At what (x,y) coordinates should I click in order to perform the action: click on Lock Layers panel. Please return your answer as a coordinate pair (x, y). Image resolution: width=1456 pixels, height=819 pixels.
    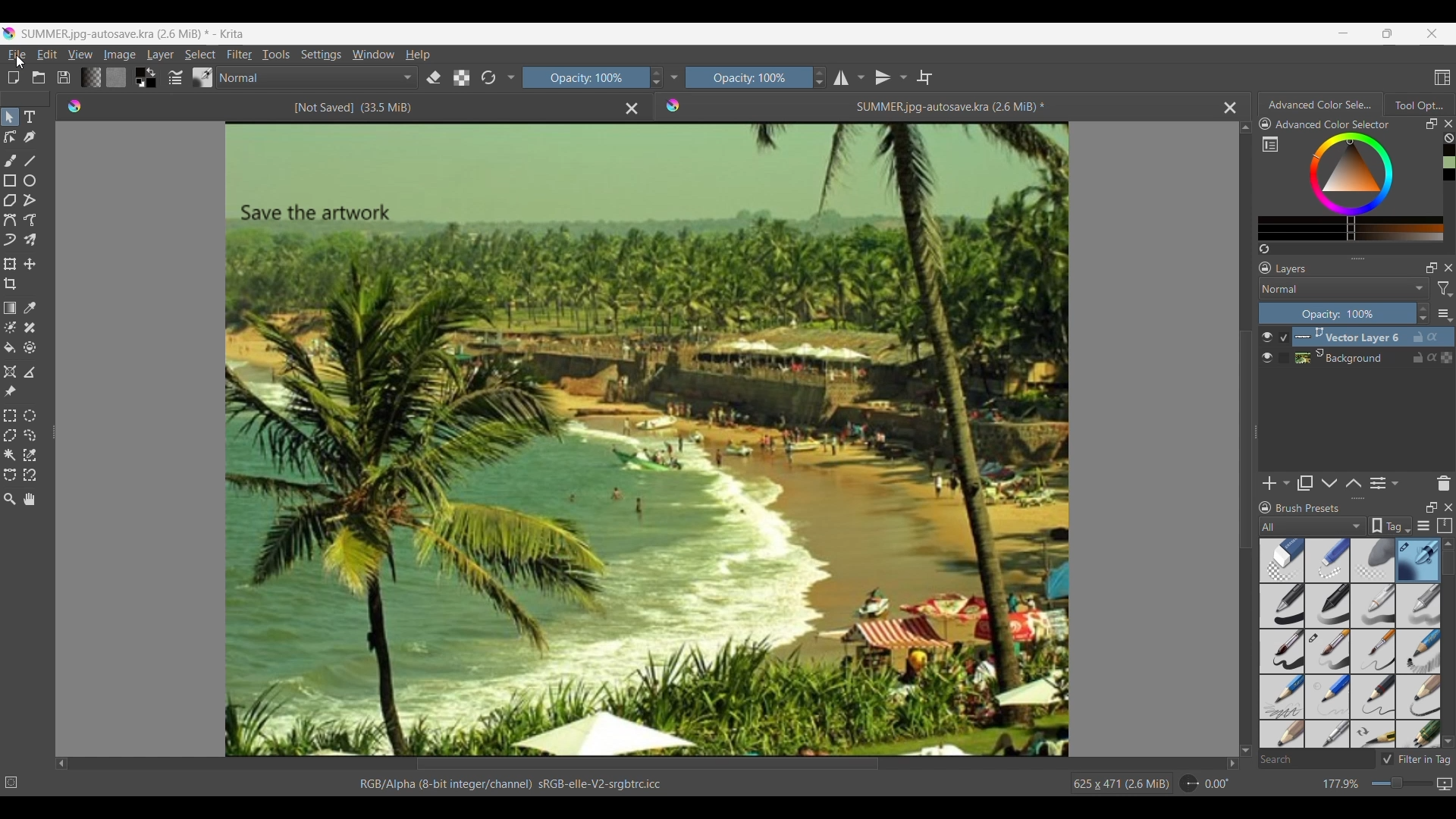
    Looking at the image, I should click on (1266, 268).